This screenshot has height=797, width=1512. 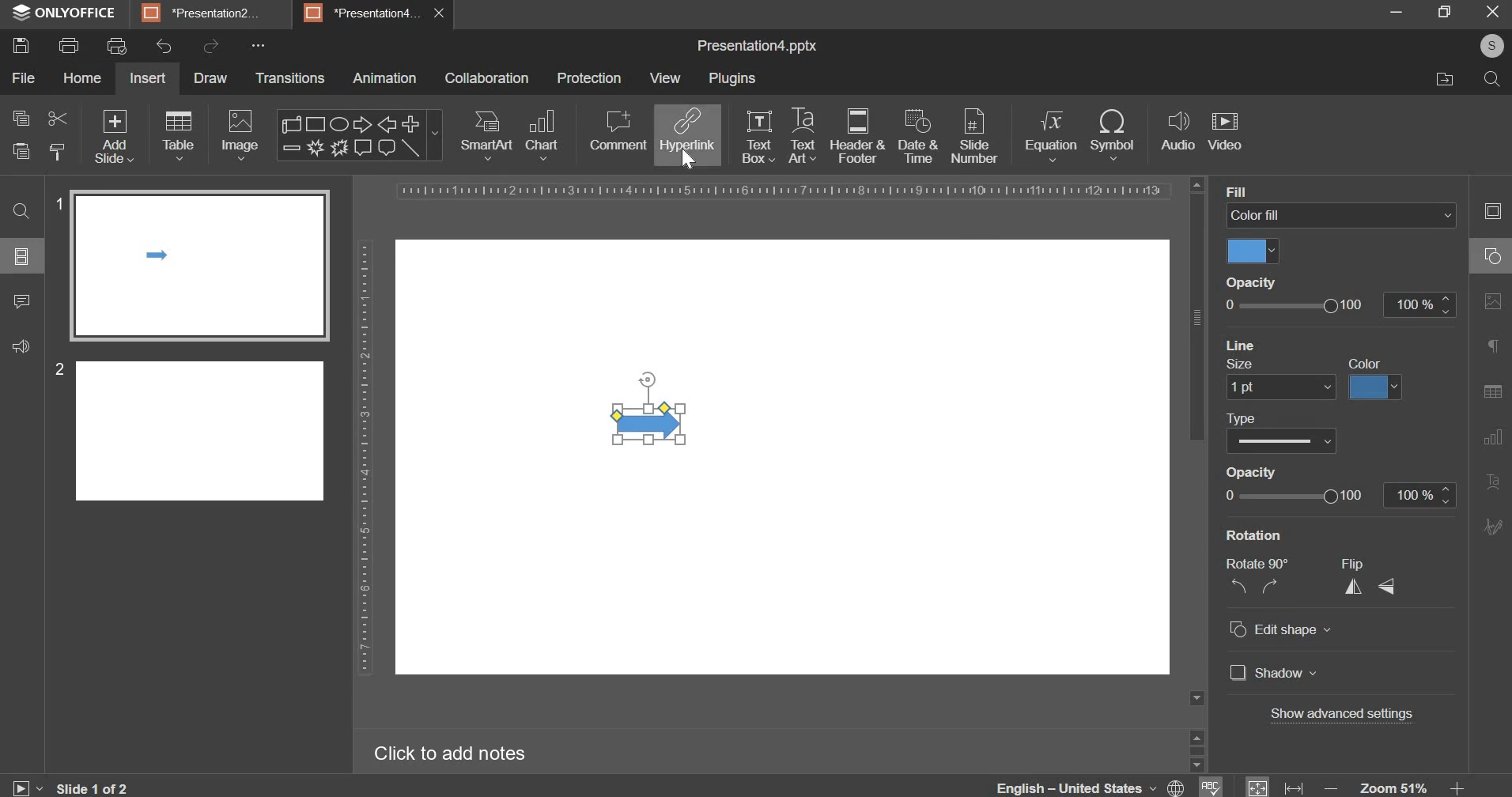 I want to click on chart, so click(x=542, y=136).